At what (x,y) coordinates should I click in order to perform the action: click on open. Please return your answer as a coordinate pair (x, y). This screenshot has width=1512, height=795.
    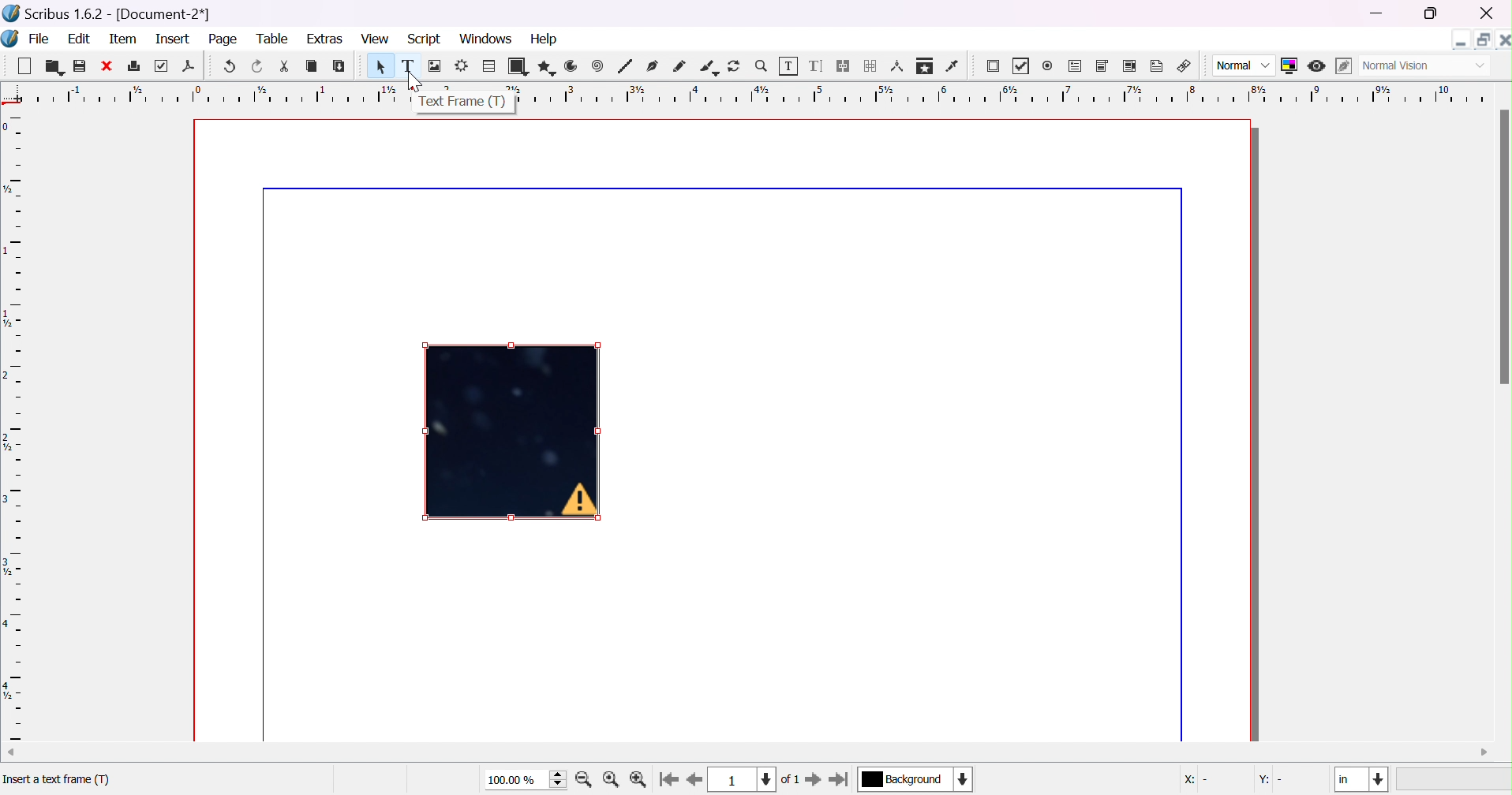
    Looking at the image, I should click on (51, 67).